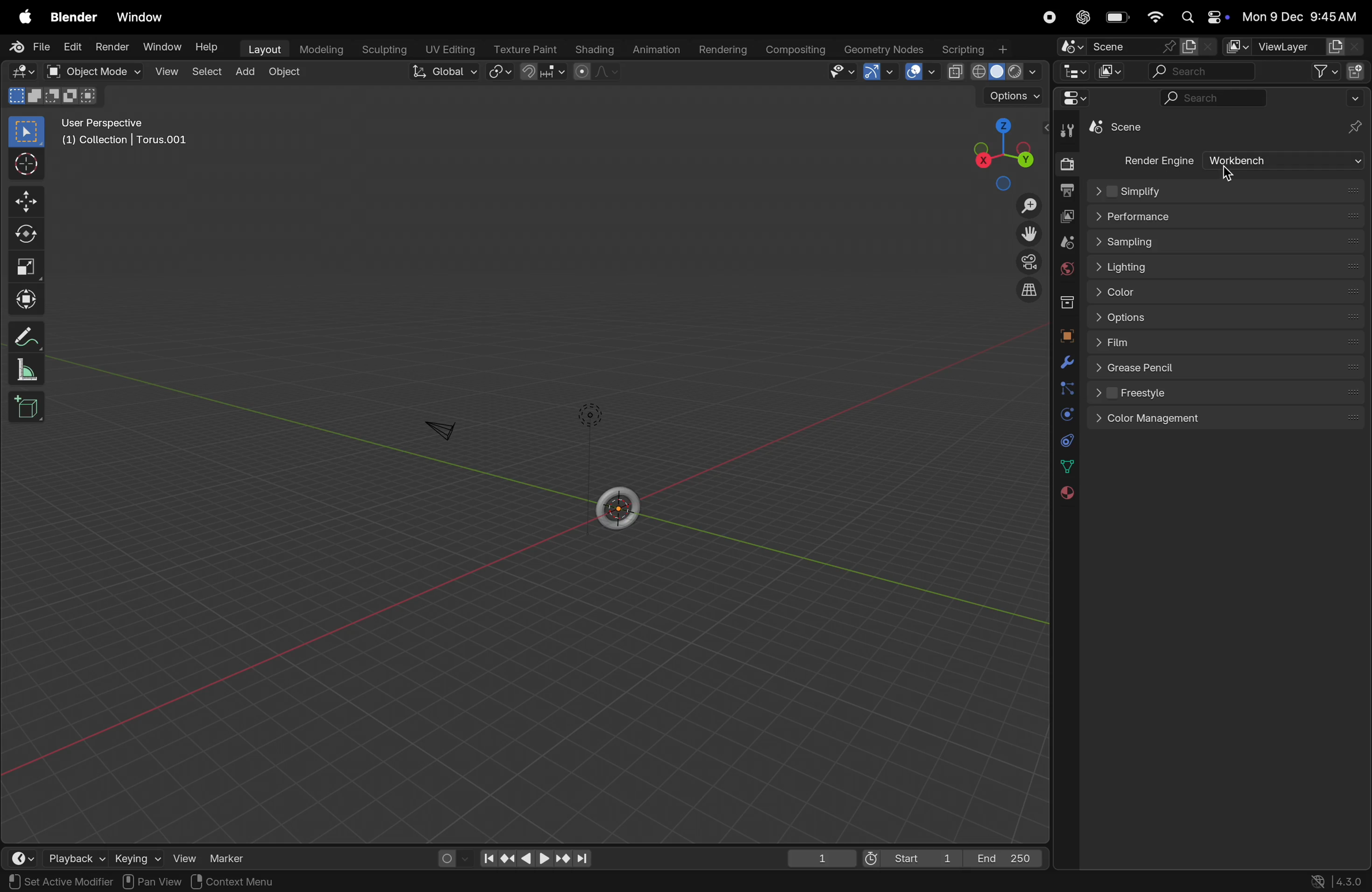 The height and width of the screenshot is (892, 1372). What do you see at coordinates (1305, 16) in the screenshot?
I see `date and time` at bounding box center [1305, 16].